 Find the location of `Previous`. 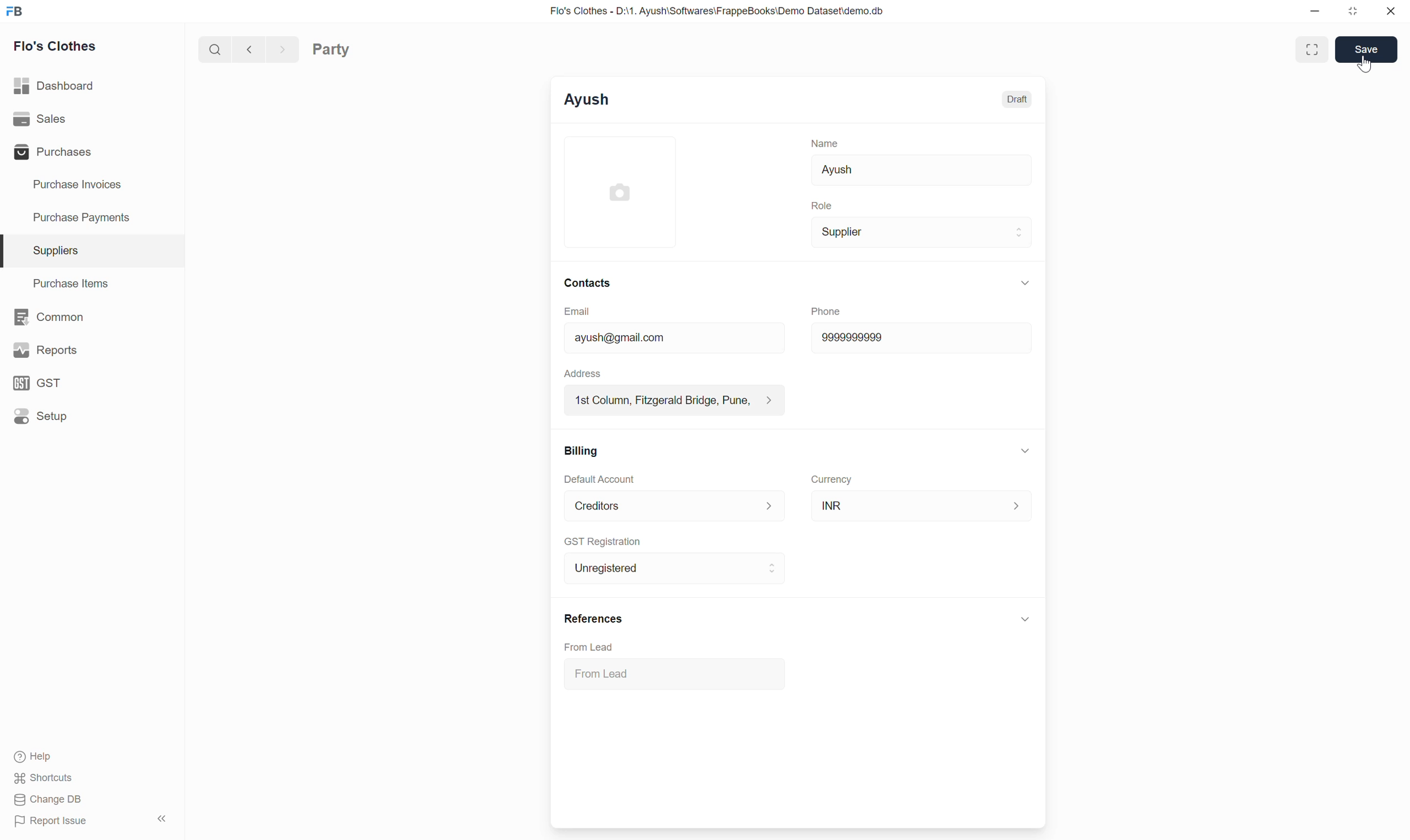

Previous is located at coordinates (250, 49).